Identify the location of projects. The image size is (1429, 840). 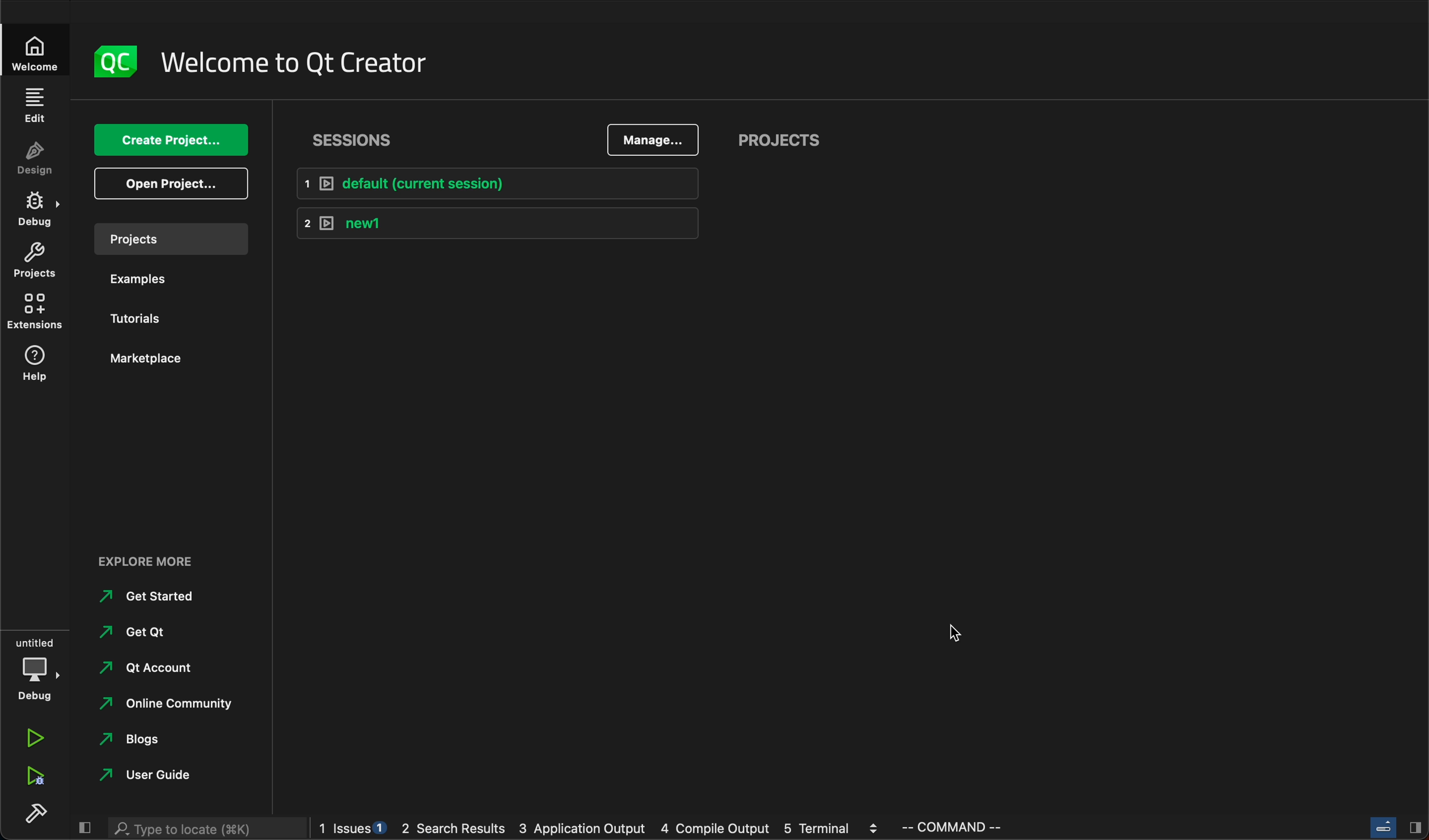
(34, 259).